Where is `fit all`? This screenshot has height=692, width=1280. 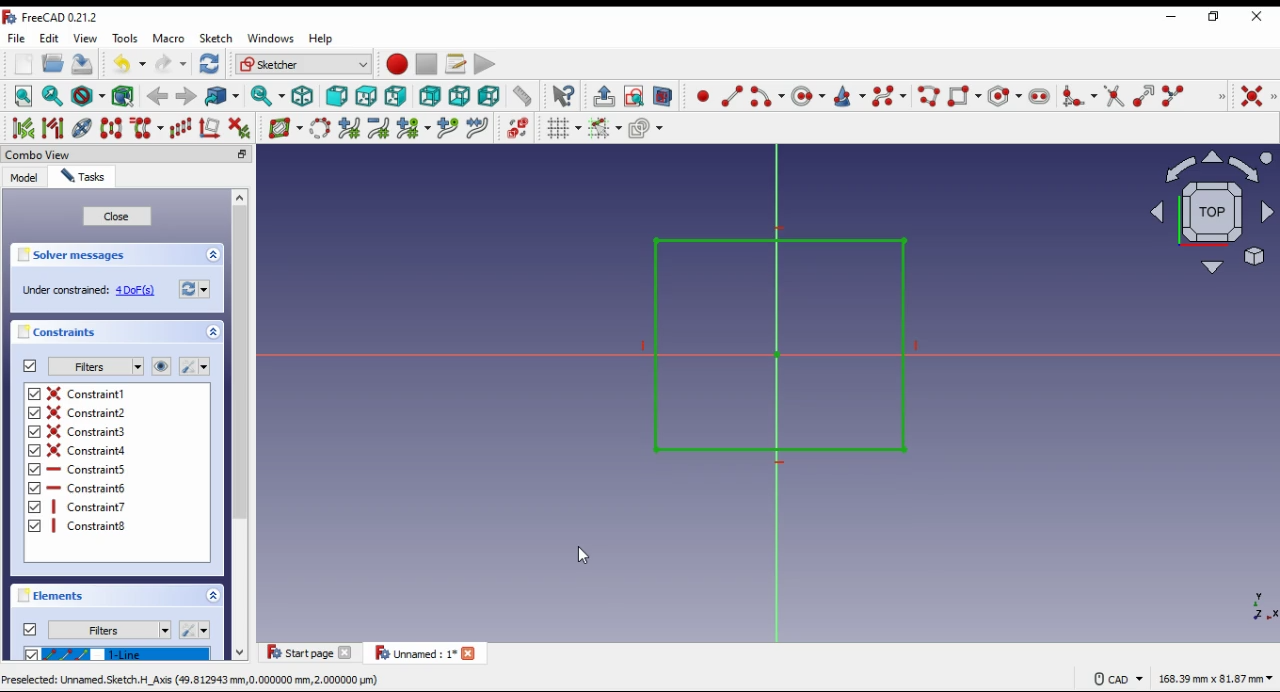 fit all is located at coordinates (24, 96).